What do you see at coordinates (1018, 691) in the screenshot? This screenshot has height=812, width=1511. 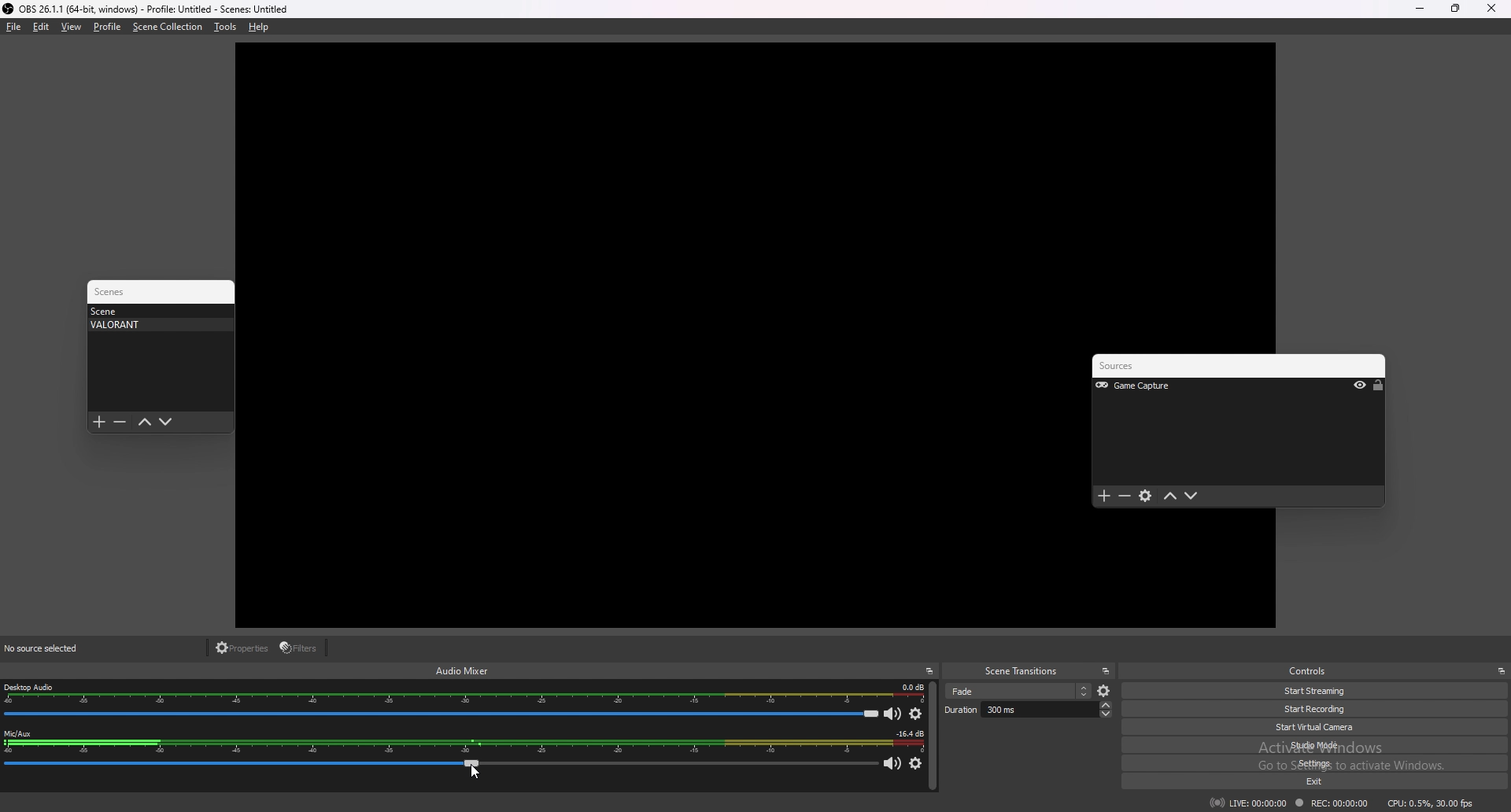 I see `scene selection` at bounding box center [1018, 691].